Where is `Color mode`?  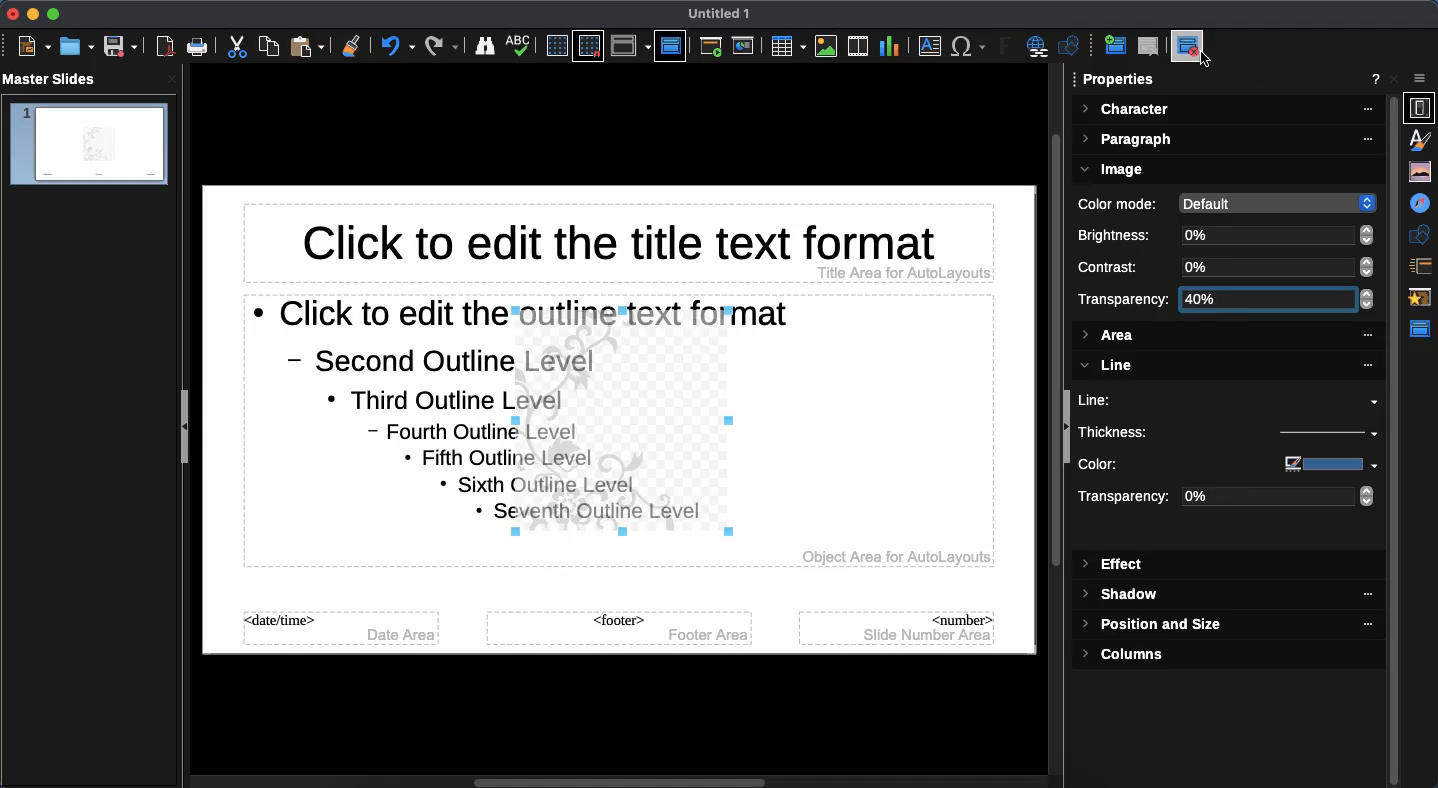
Color mode is located at coordinates (1121, 204).